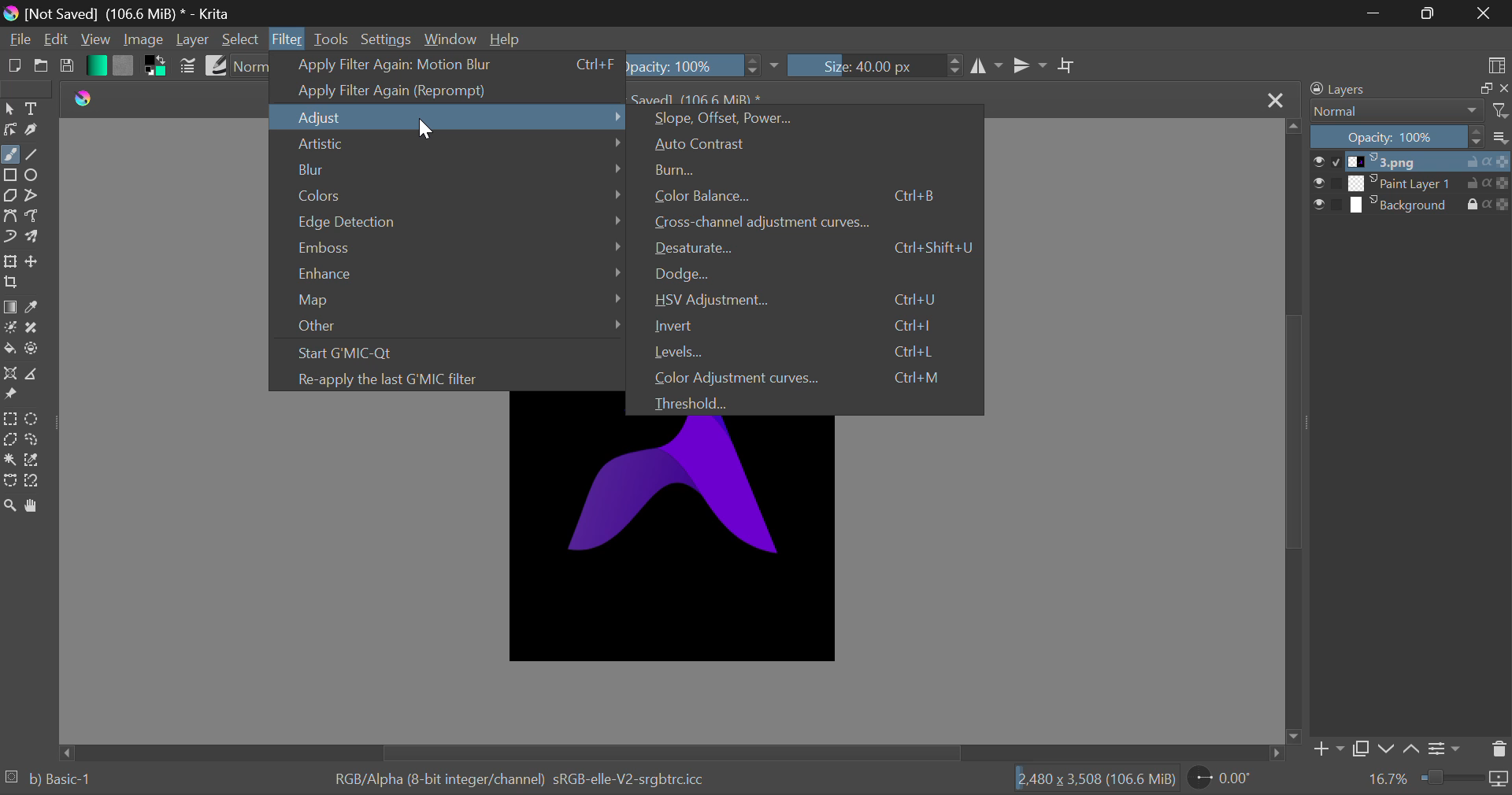 The width and height of the screenshot is (1512, 795). I want to click on Scroll Bar, so click(1295, 432).